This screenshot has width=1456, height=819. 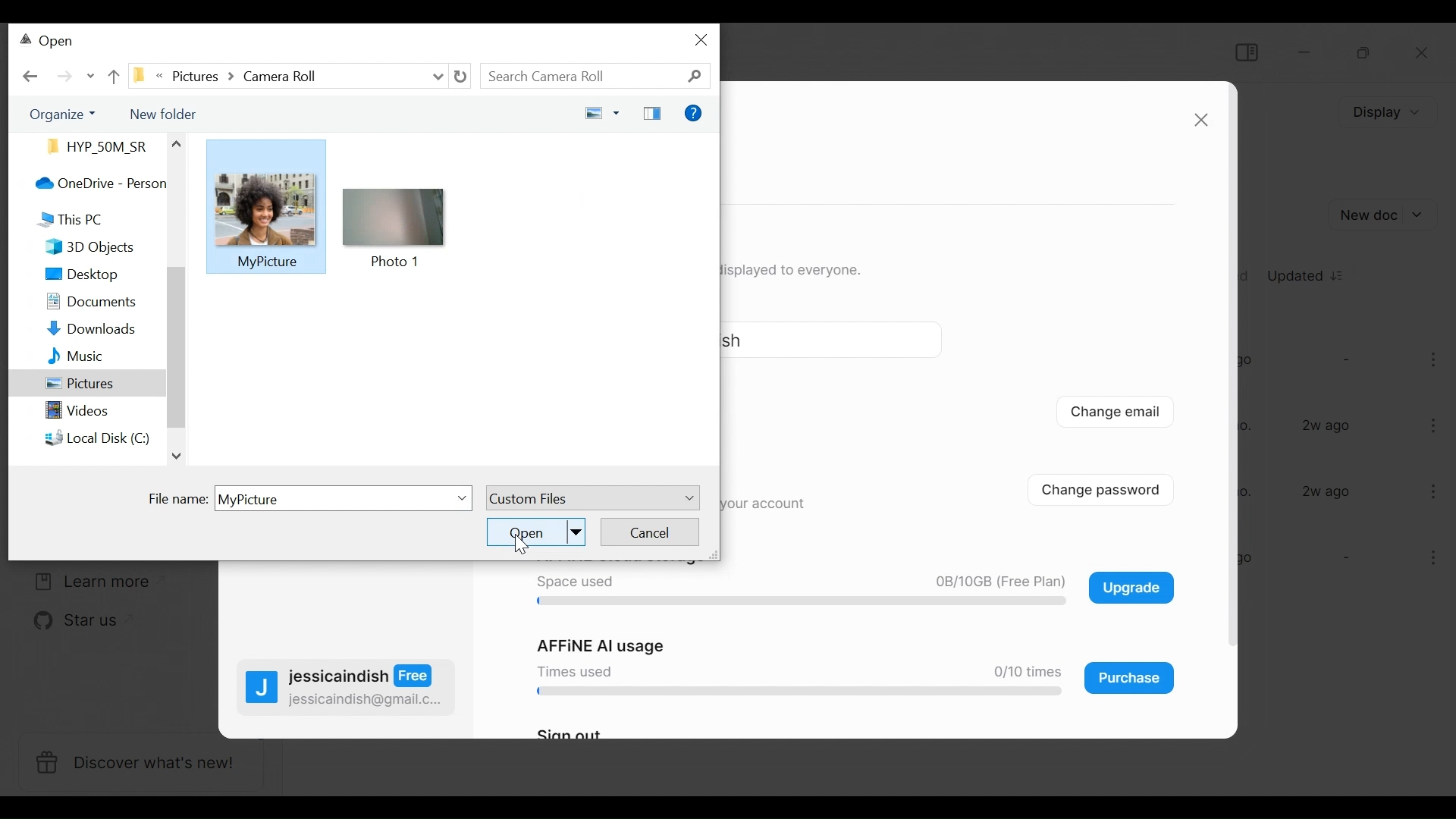 I want to click on Open, so click(x=49, y=42).